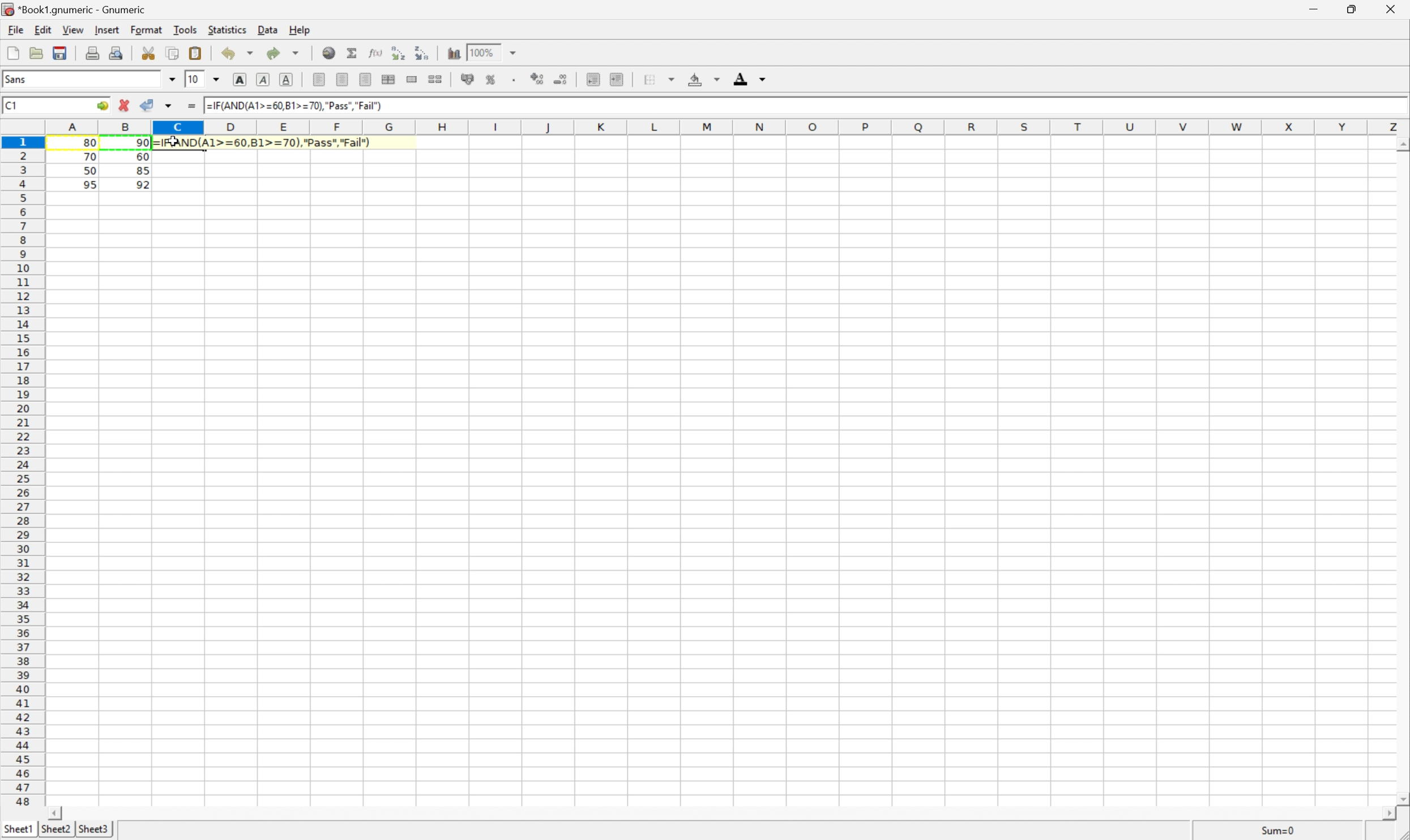 This screenshot has height=840, width=1410. Describe the element at coordinates (451, 53) in the screenshot. I see `Chart` at that location.